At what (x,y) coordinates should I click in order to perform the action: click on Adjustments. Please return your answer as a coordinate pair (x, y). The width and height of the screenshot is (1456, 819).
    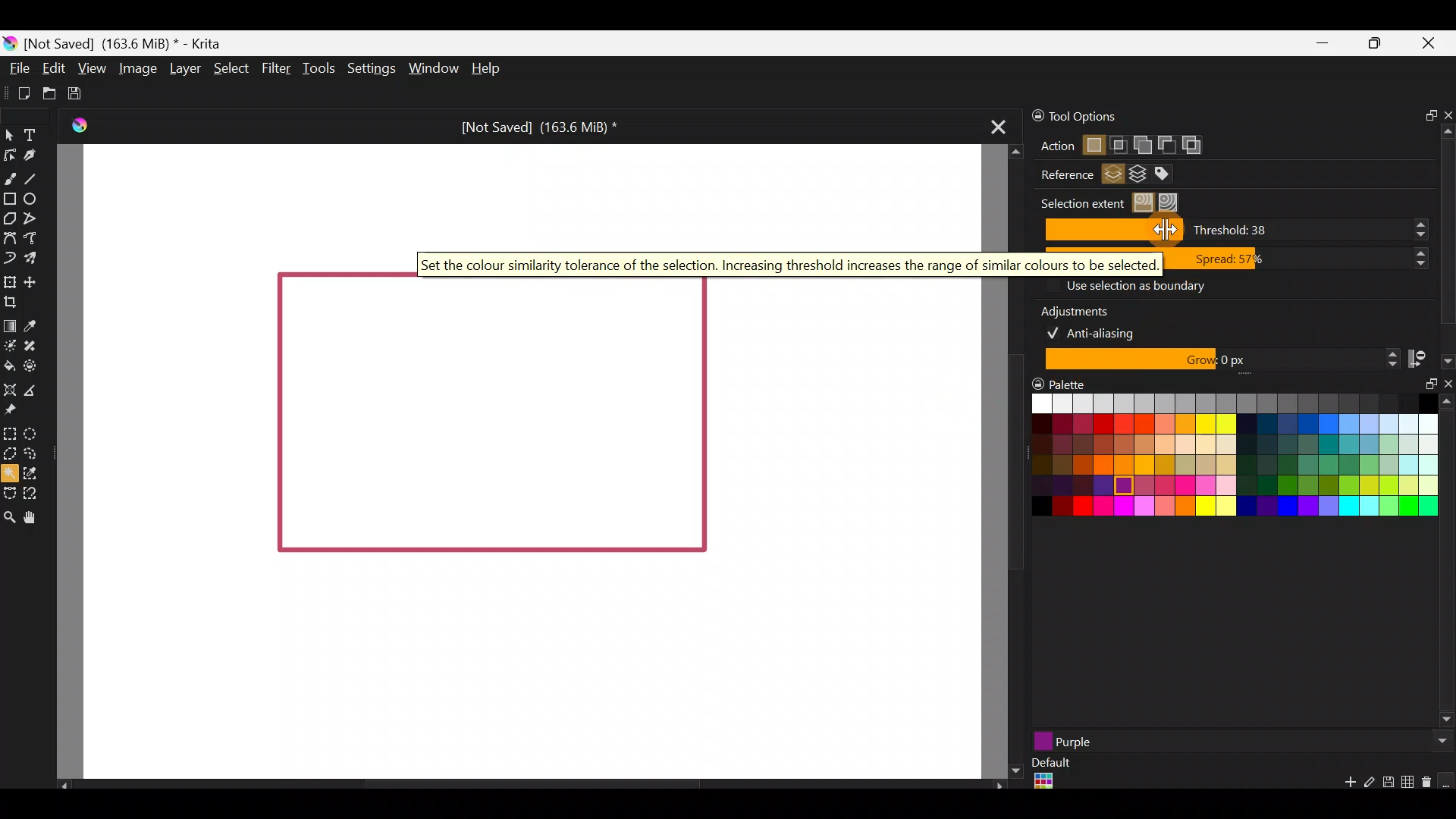
    Looking at the image, I should click on (1084, 309).